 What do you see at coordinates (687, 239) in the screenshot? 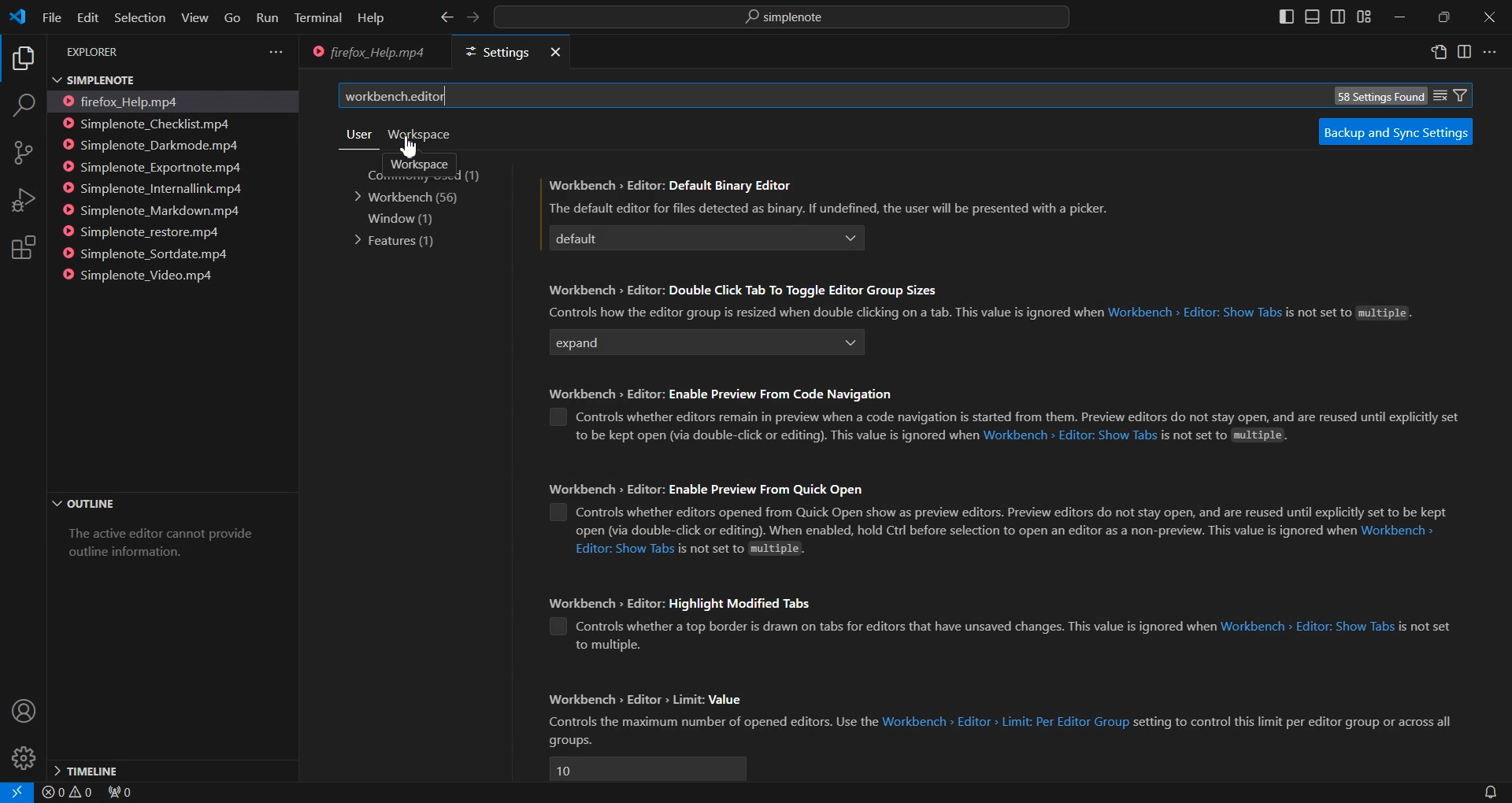
I see `Editor binary editor` at bounding box center [687, 239].